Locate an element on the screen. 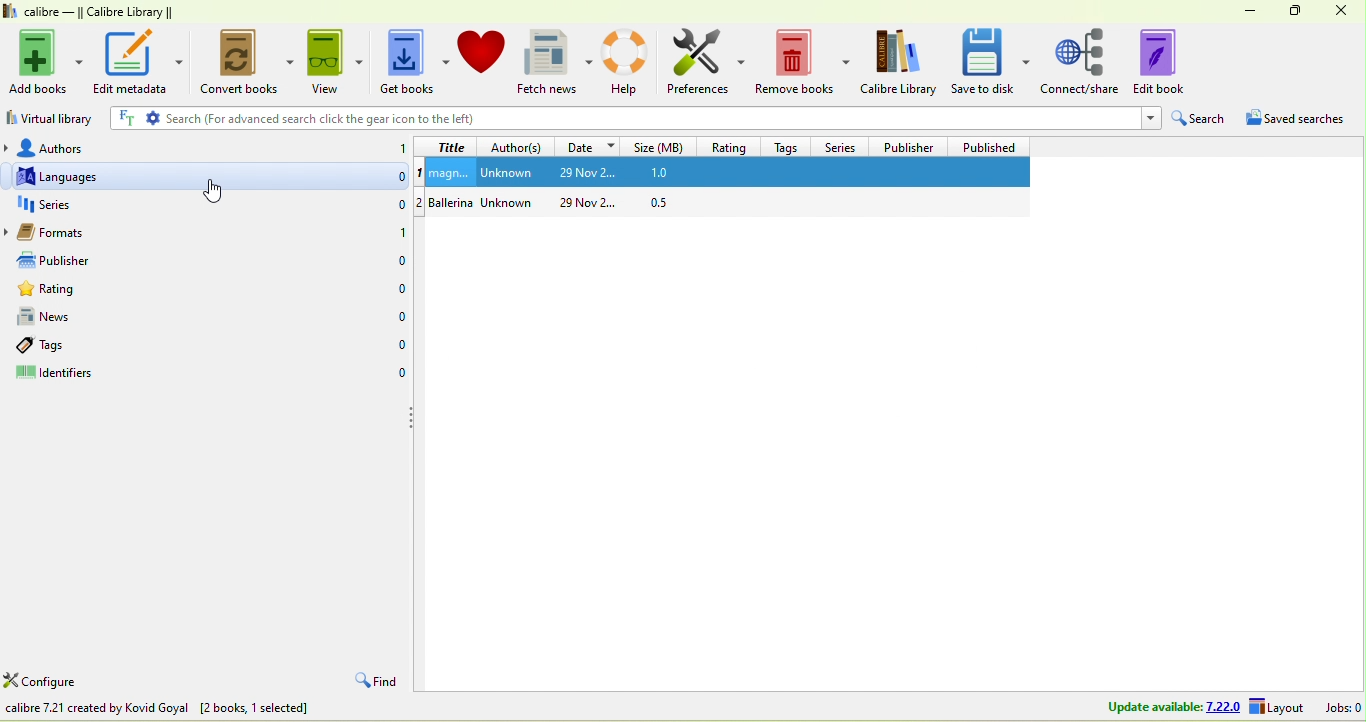  add books is located at coordinates (43, 62).